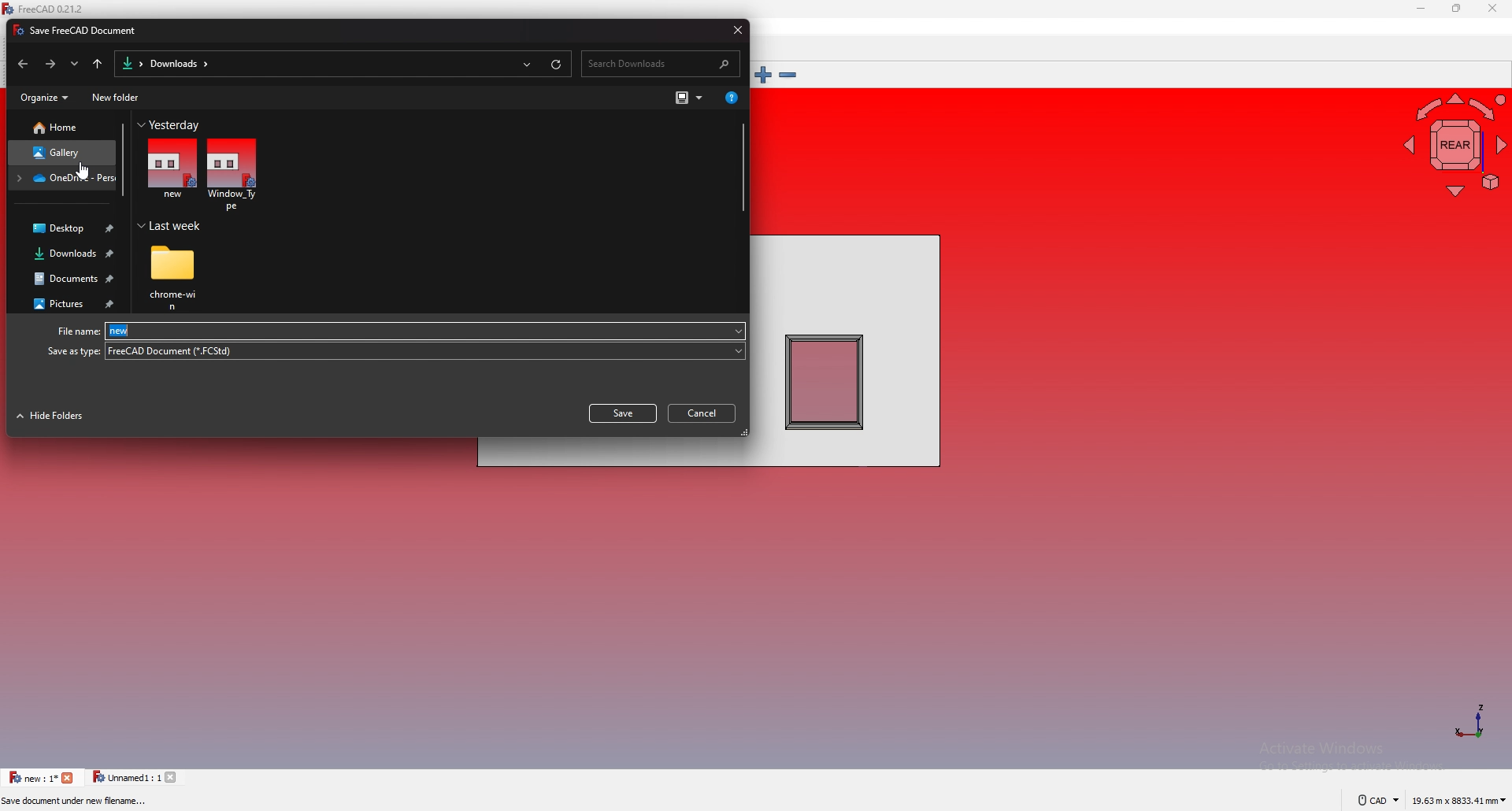 The width and height of the screenshot is (1512, 811). Describe the element at coordinates (180, 64) in the screenshot. I see `downloads` at that location.